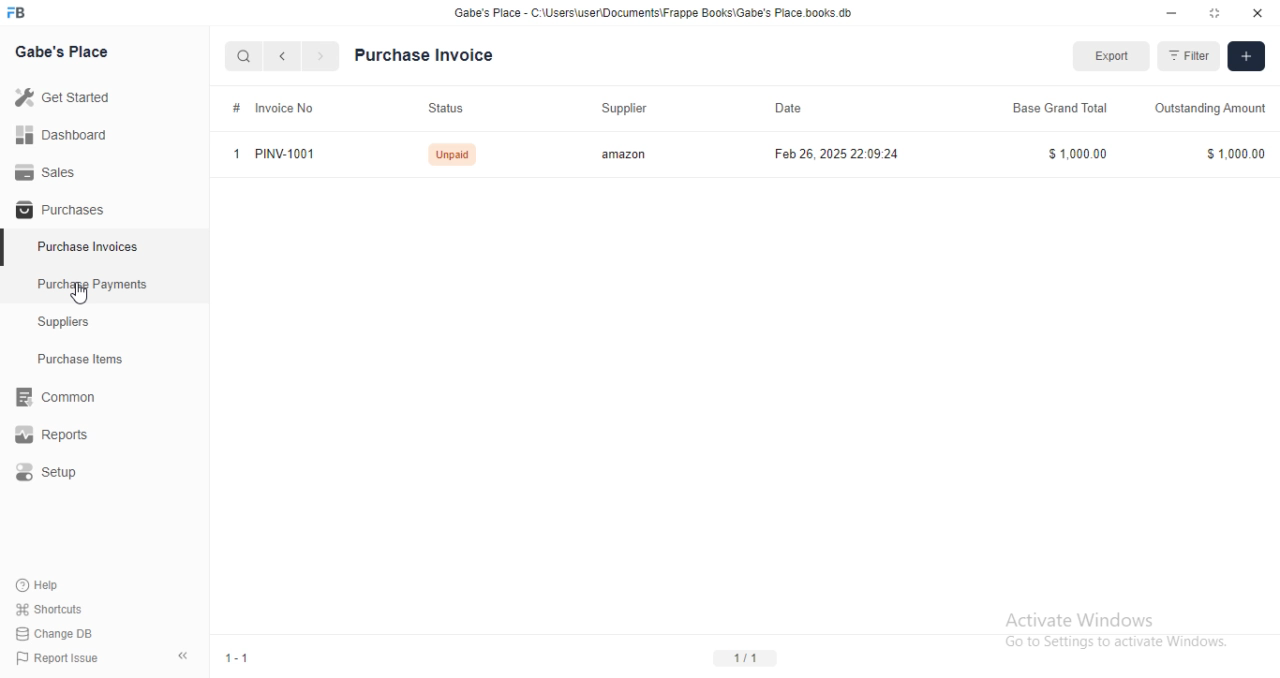  What do you see at coordinates (322, 57) in the screenshot?
I see `navigate forward` at bounding box center [322, 57].